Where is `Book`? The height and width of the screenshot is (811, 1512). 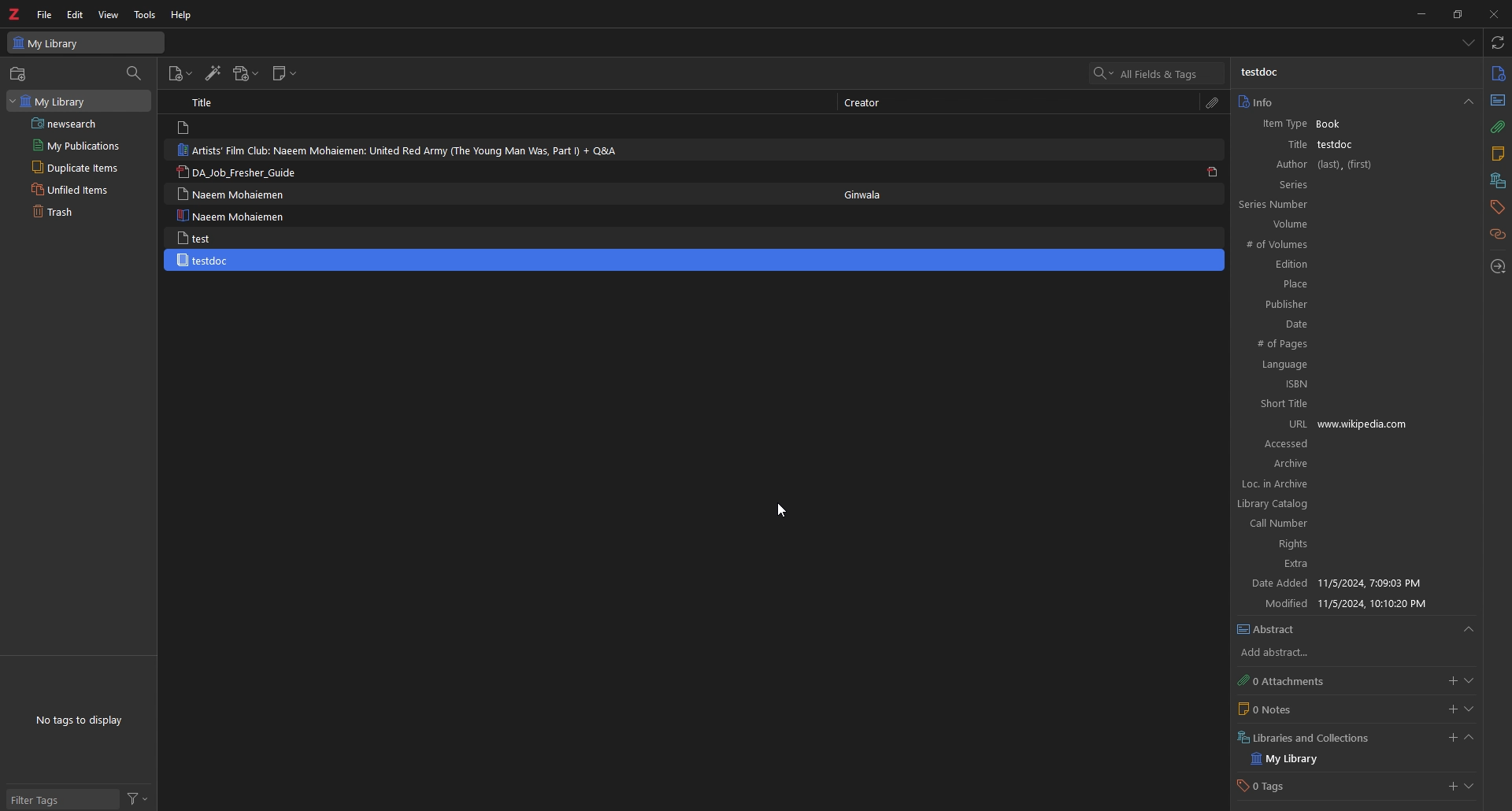 Book is located at coordinates (1332, 124).